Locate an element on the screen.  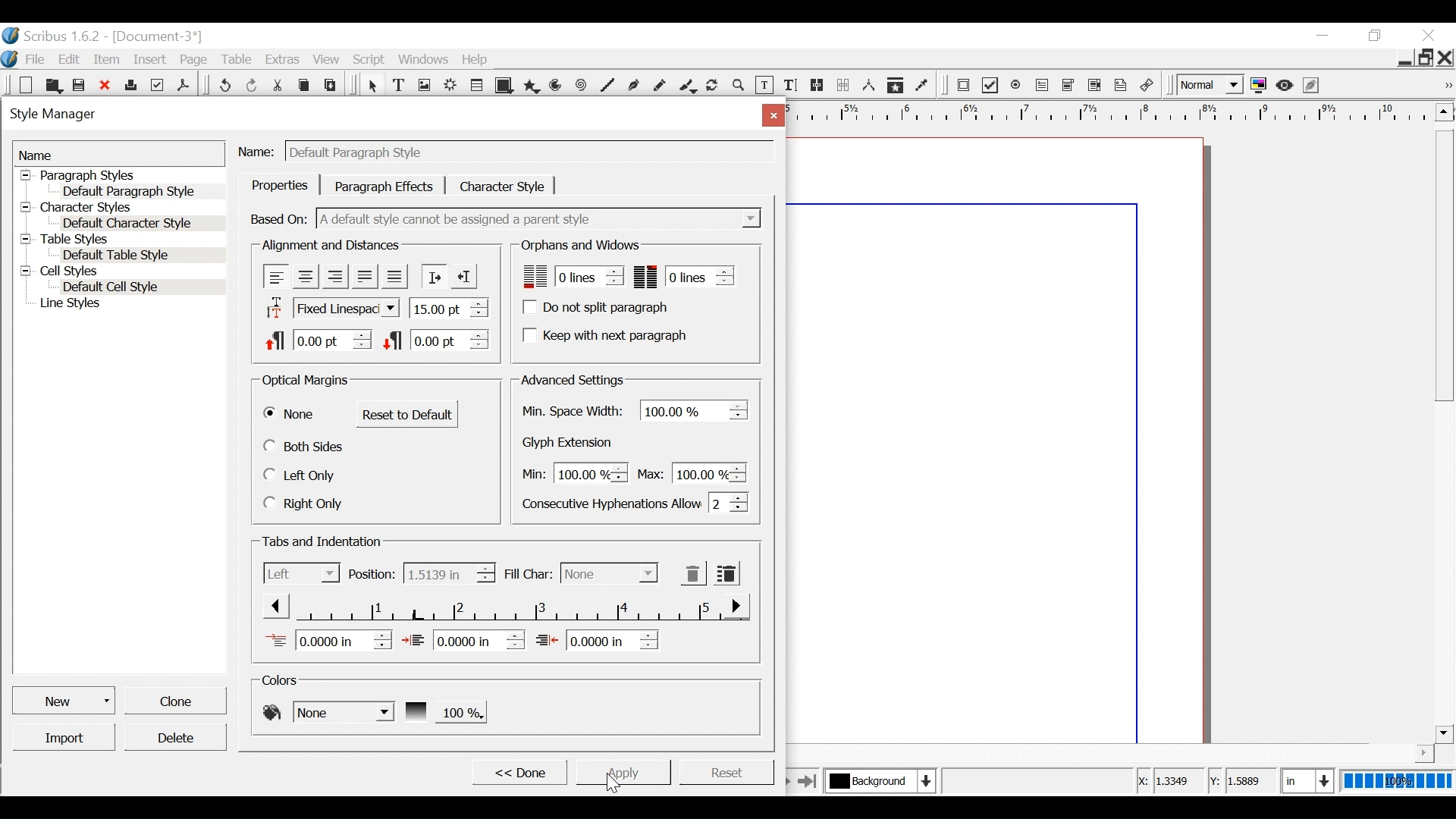
(un)select none is located at coordinates (290, 415).